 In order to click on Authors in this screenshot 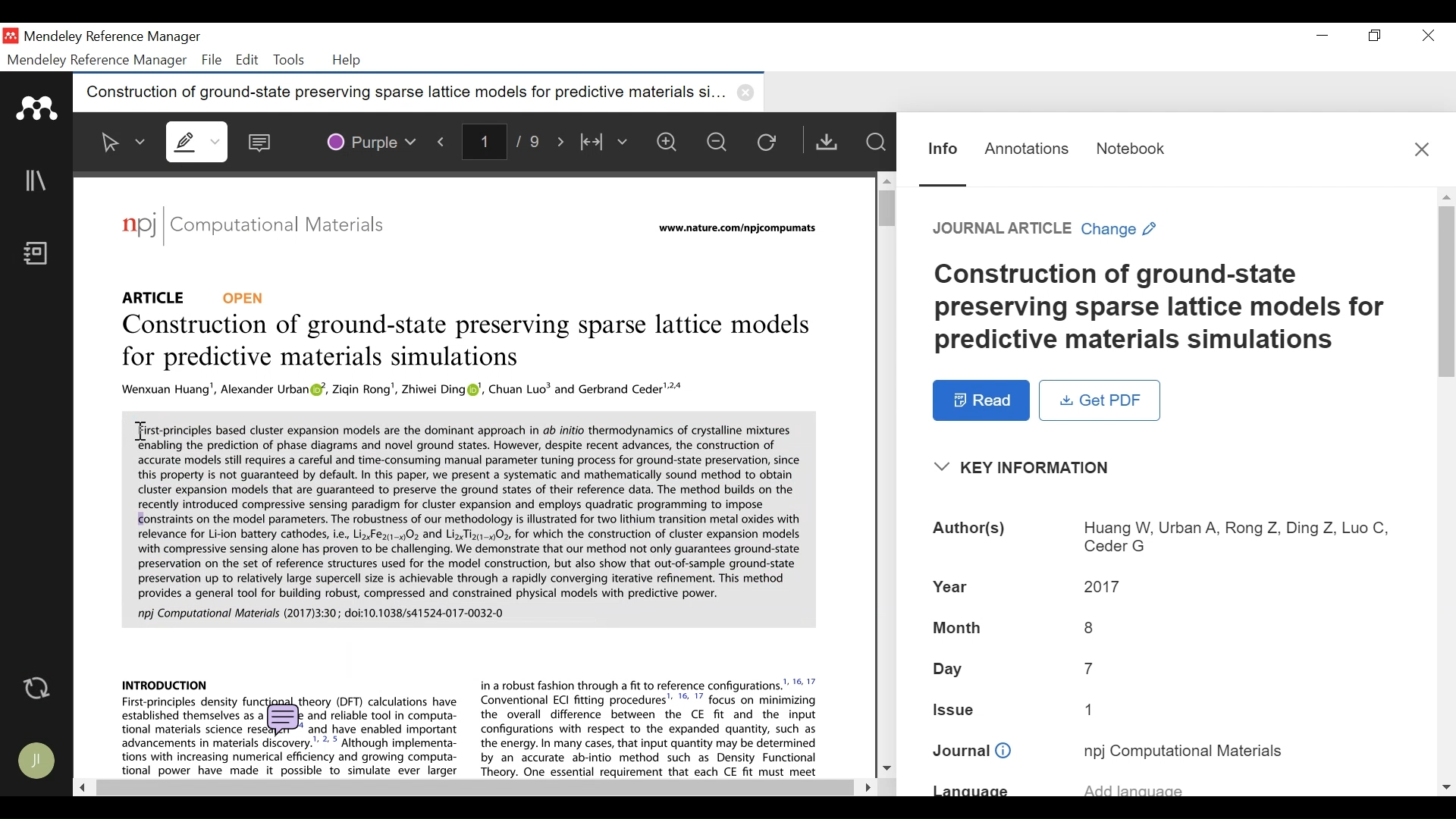, I will do `click(971, 530)`.